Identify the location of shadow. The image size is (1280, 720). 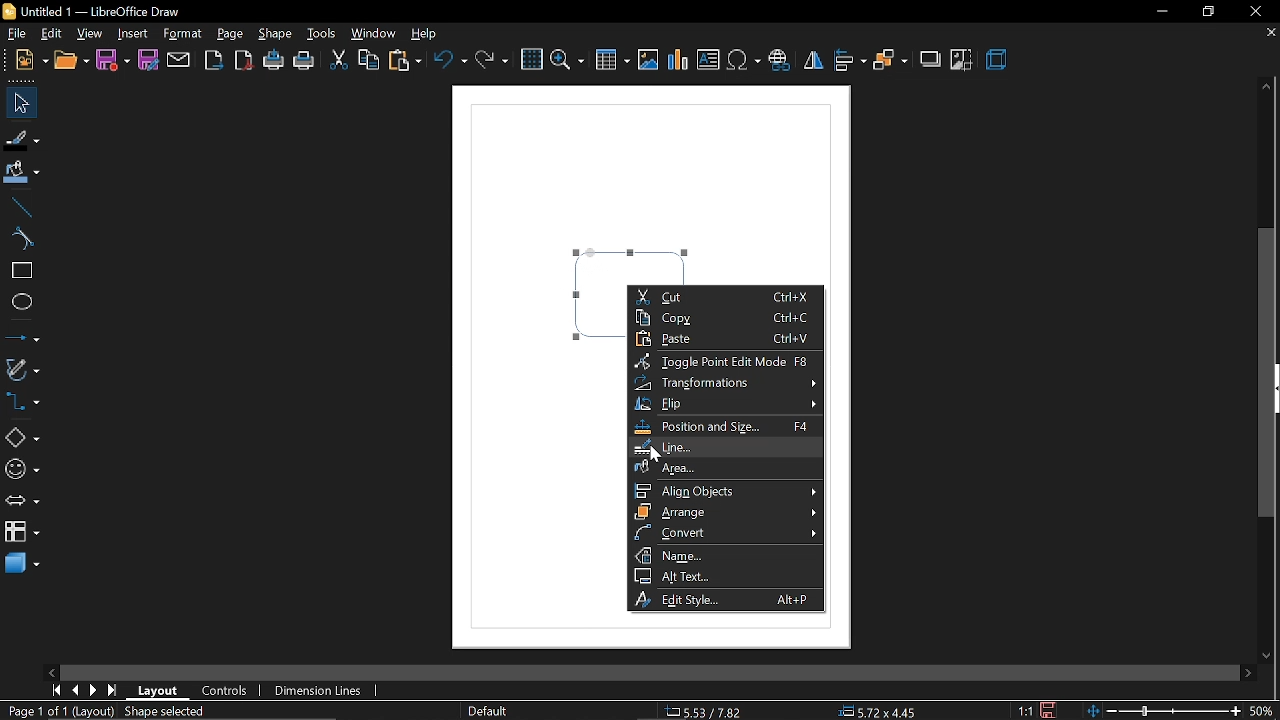
(928, 60).